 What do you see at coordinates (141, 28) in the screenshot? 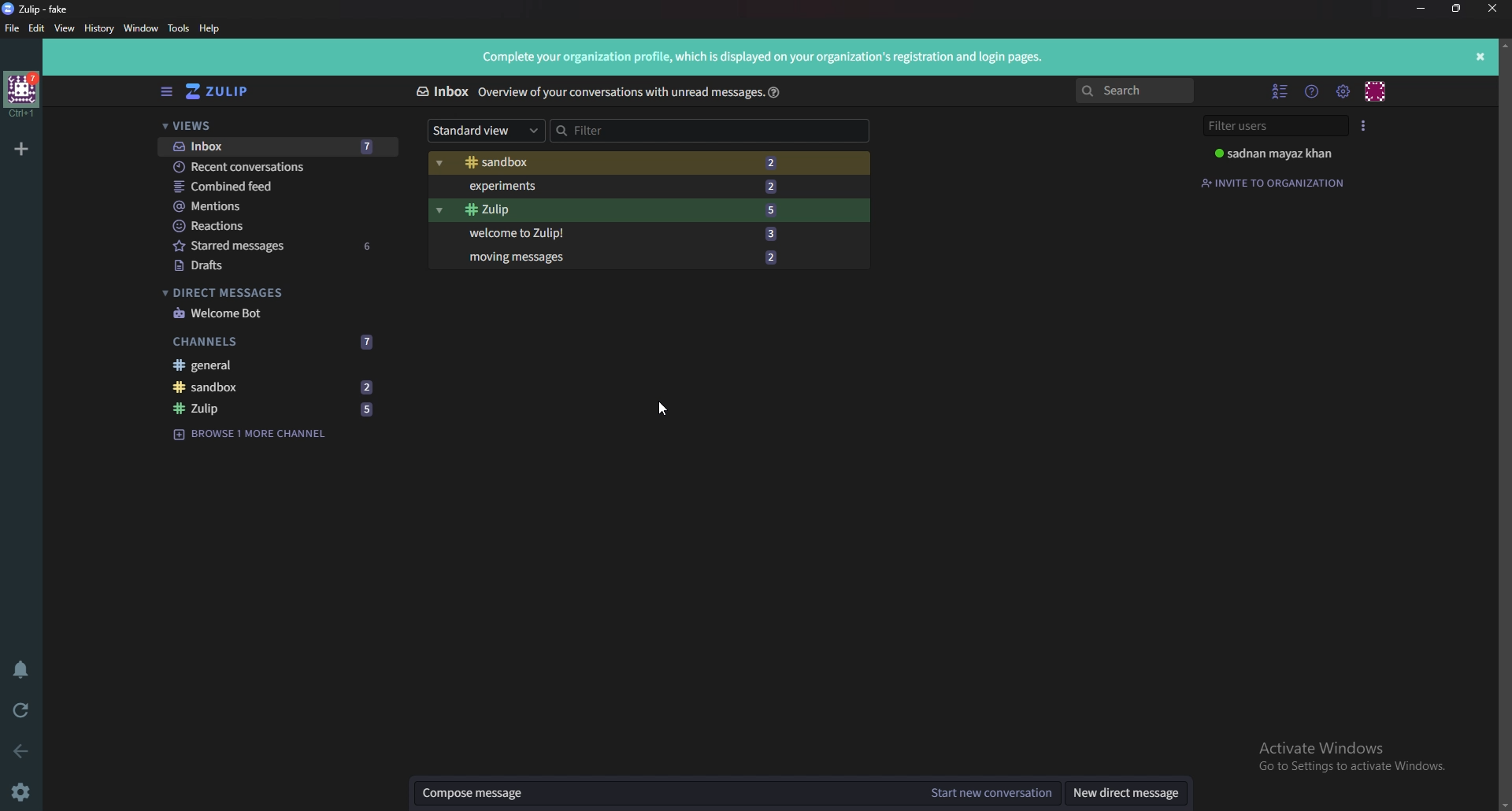
I see `window` at bounding box center [141, 28].